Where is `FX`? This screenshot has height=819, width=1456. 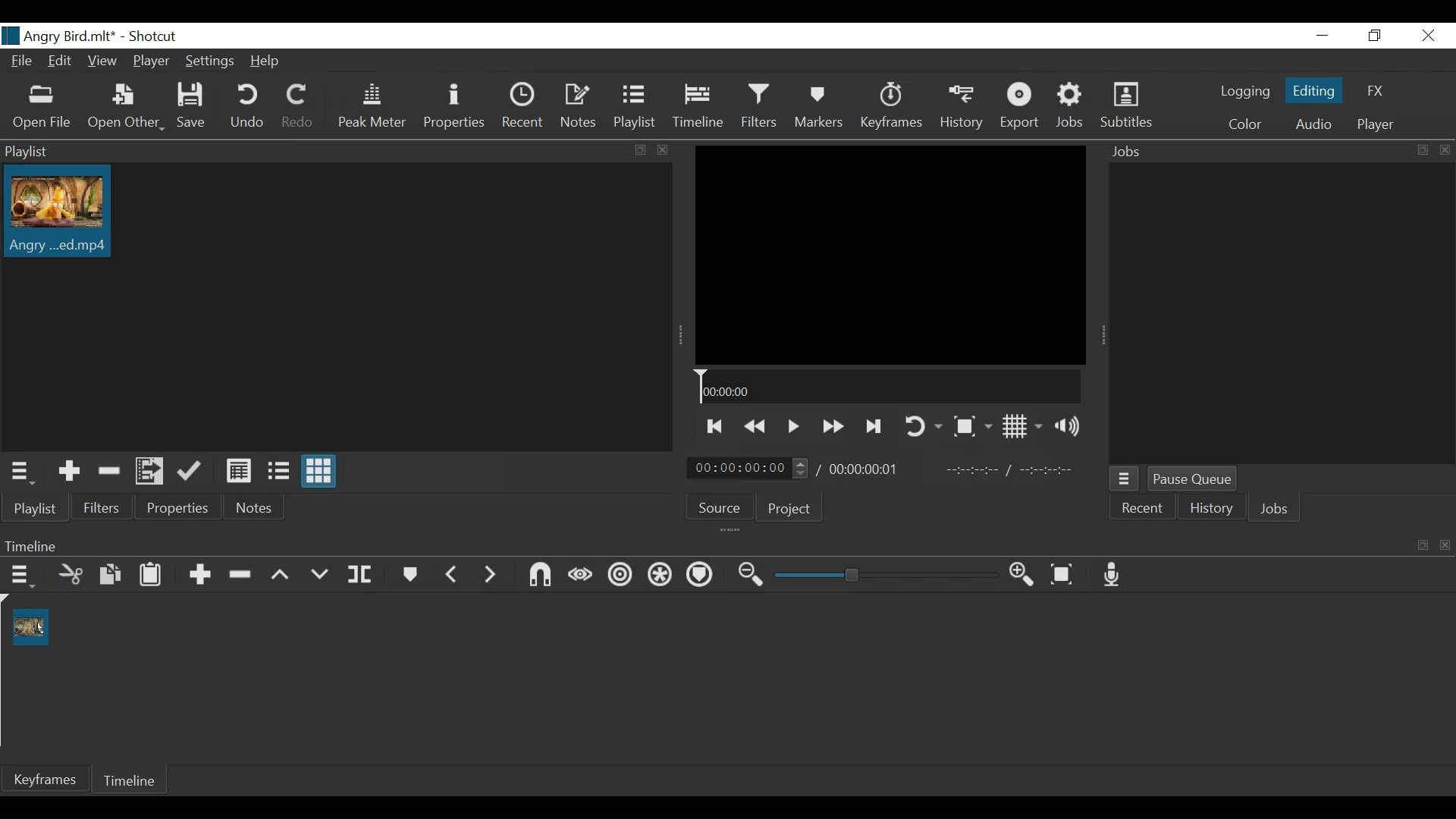 FX is located at coordinates (1375, 91).